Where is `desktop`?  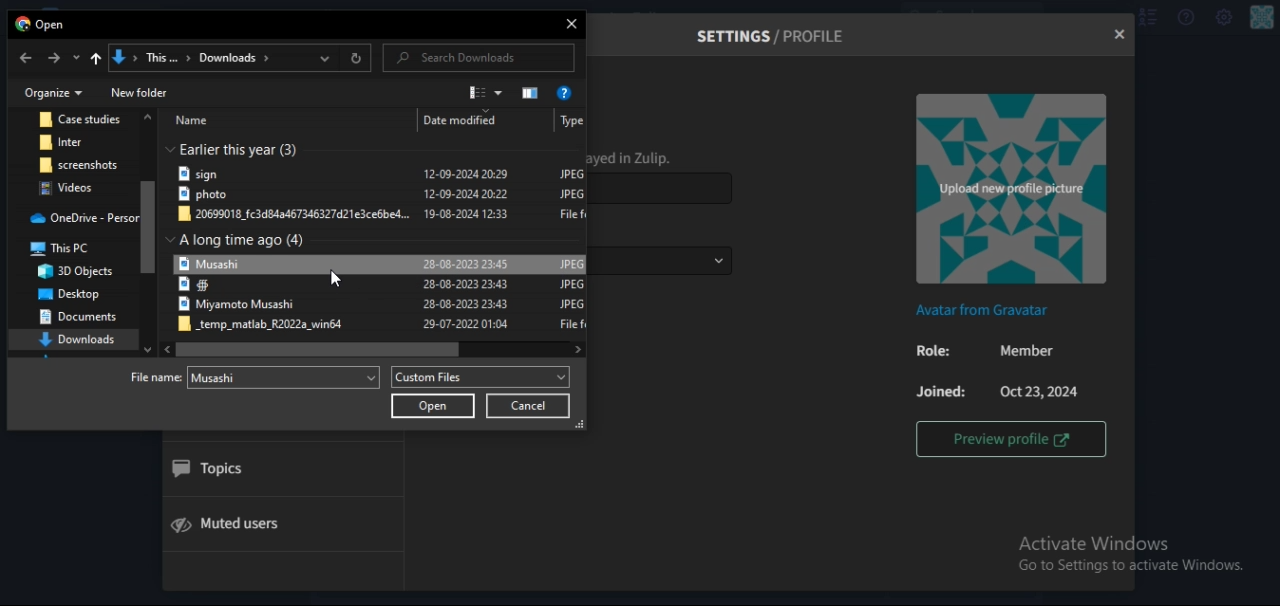 desktop is located at coordinates (66, 293).